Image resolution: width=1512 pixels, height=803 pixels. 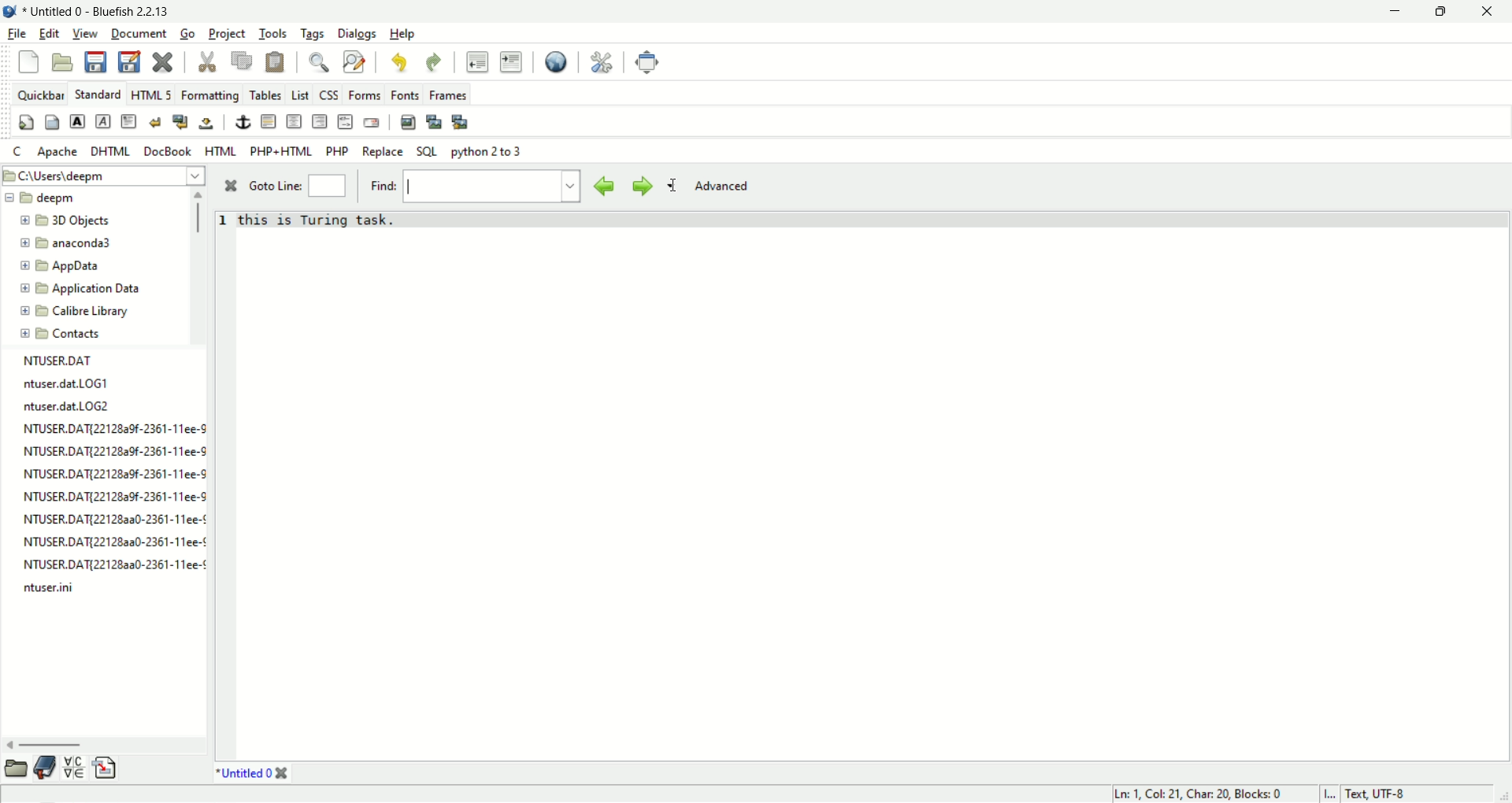 I want to click on NTUSER.DAT, so click(x=62, y=361).